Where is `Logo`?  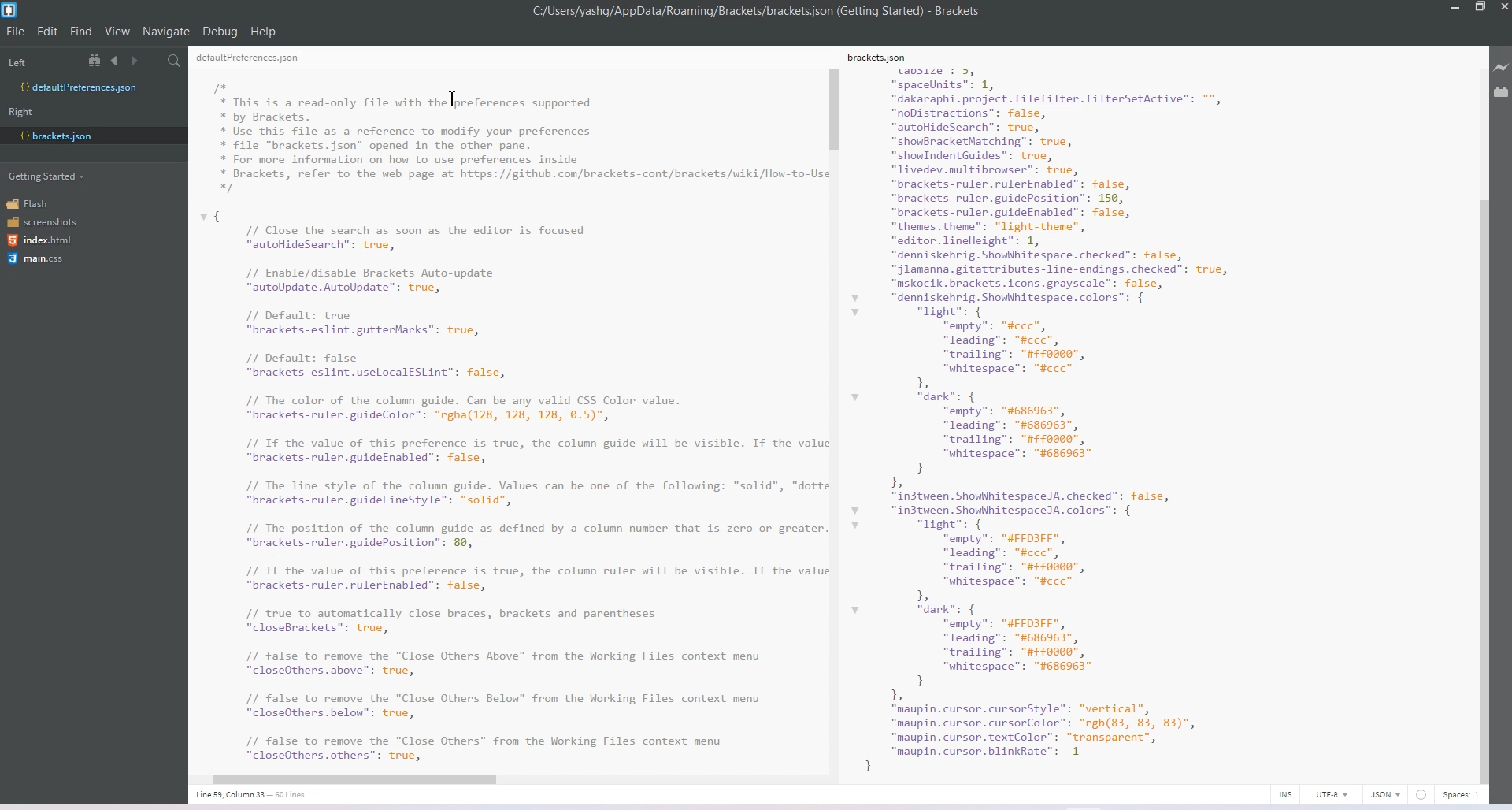
Logo is located at coordinates (11, 10).